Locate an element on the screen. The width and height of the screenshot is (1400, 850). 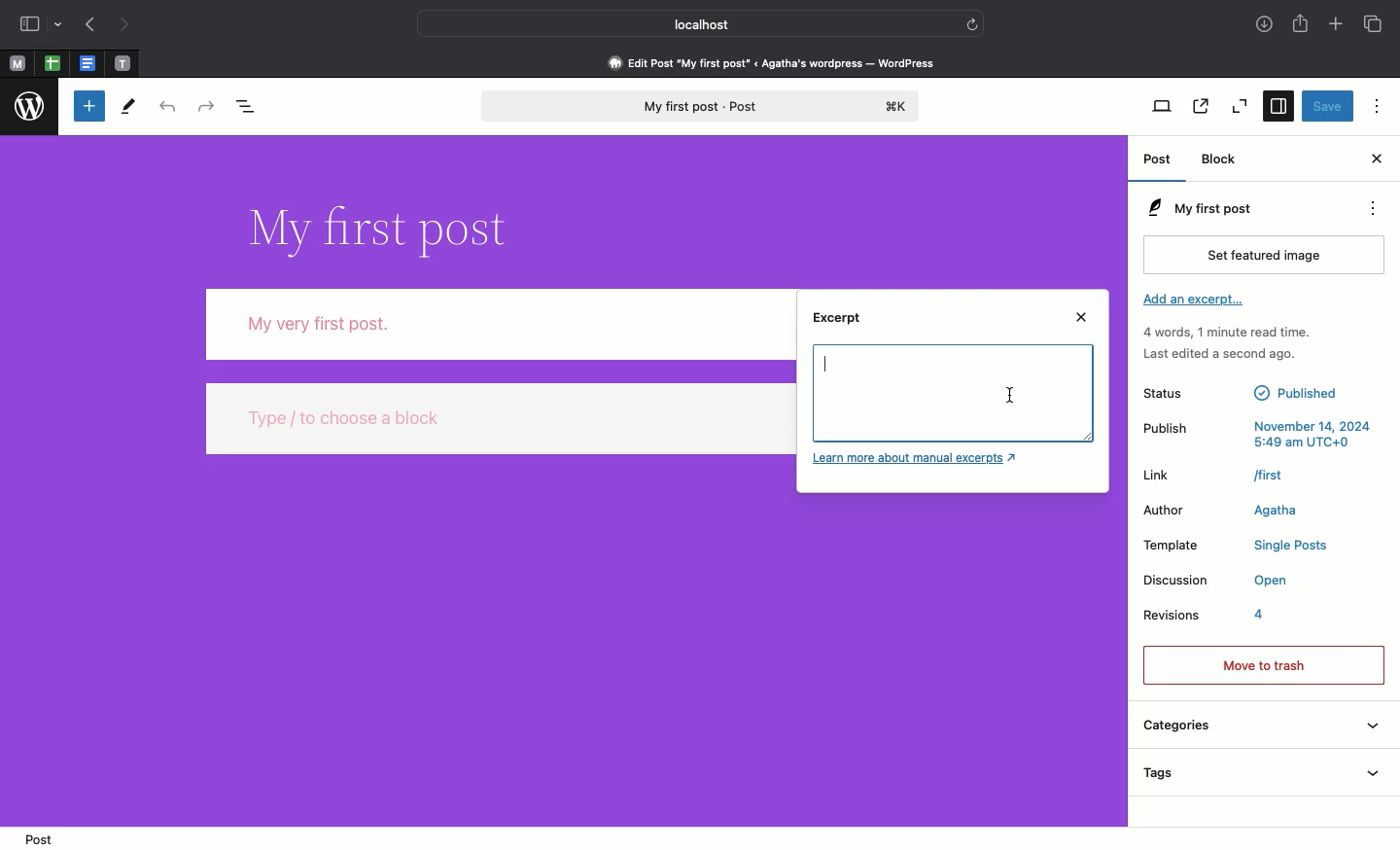
Options is located at coordinates (1374, 106).